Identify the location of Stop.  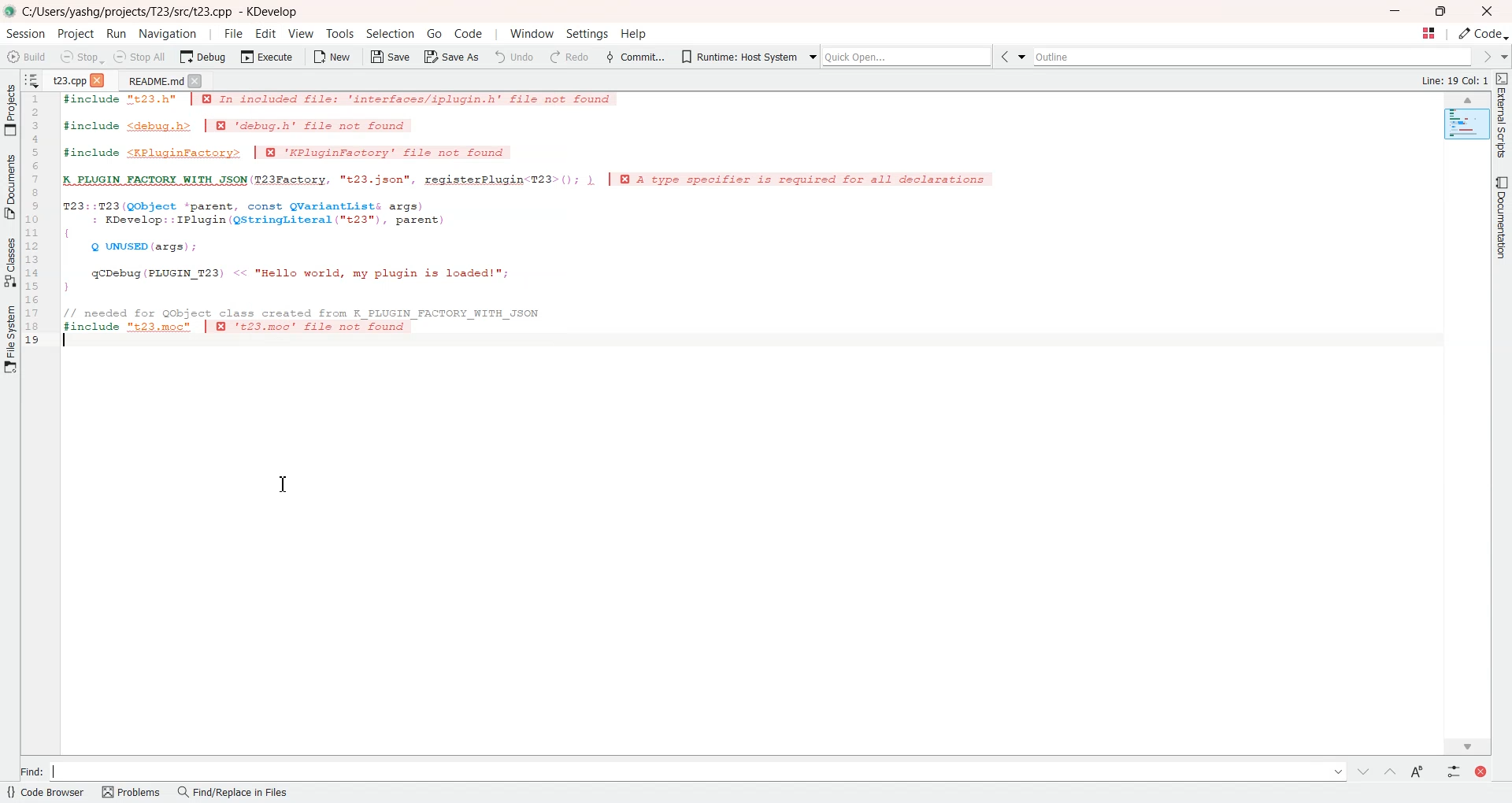
(81, 57).